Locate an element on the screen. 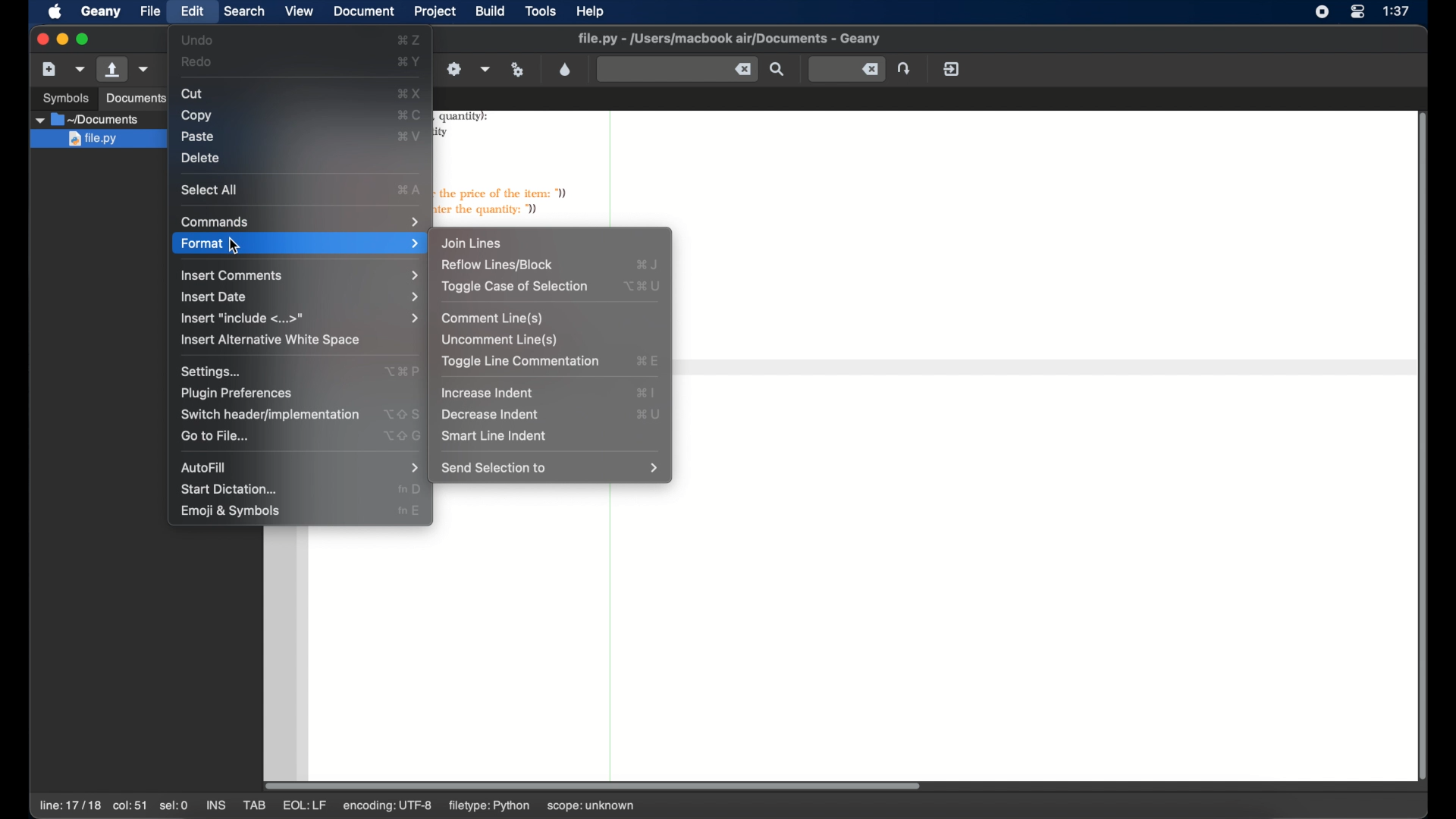  decrease indent is located at coordinates (490, 414).